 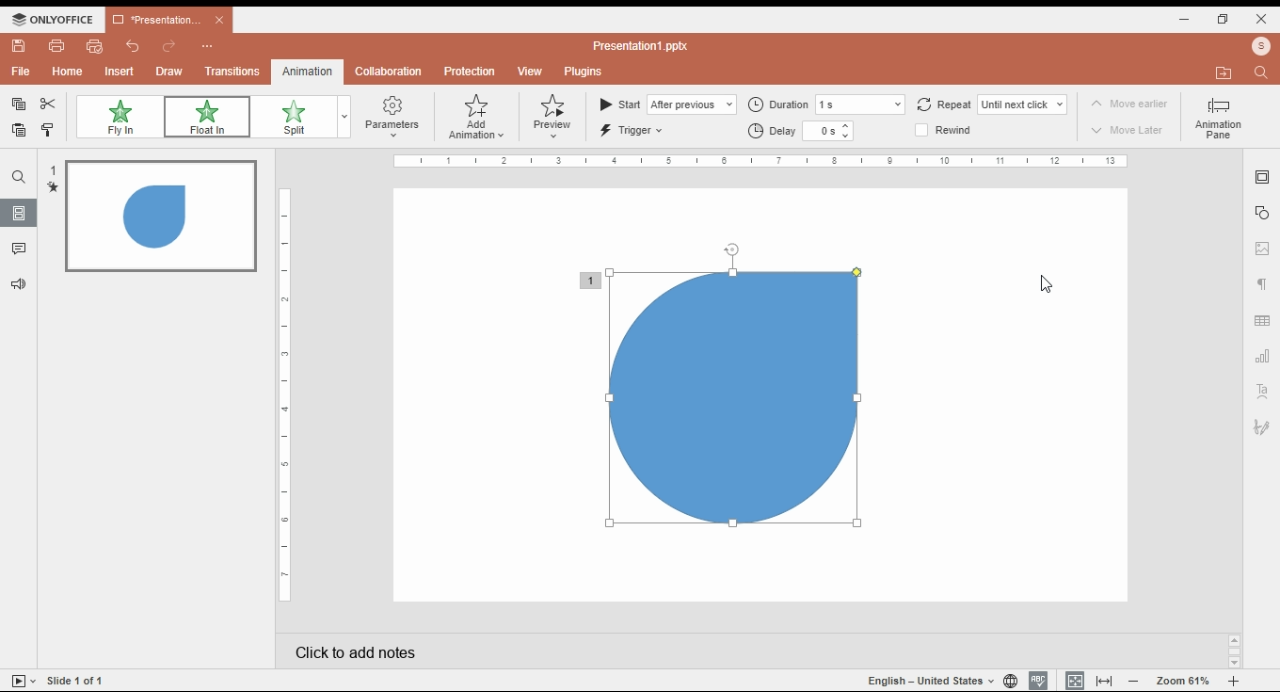 I want to click on file, so click(x=20, y=72).